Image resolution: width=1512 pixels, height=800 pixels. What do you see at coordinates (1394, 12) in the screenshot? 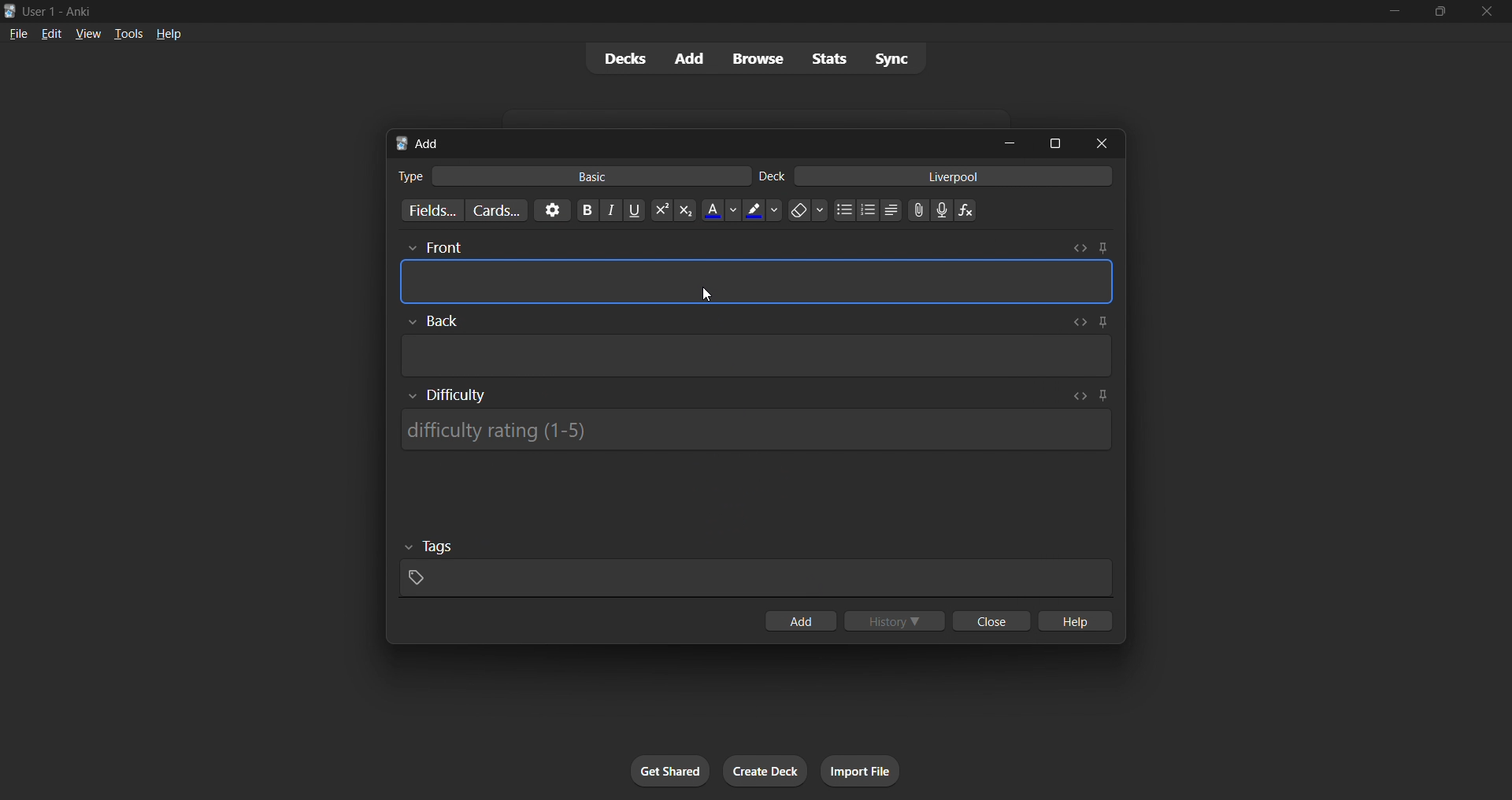
I see `minimize` at bounding box center [1394, 12].